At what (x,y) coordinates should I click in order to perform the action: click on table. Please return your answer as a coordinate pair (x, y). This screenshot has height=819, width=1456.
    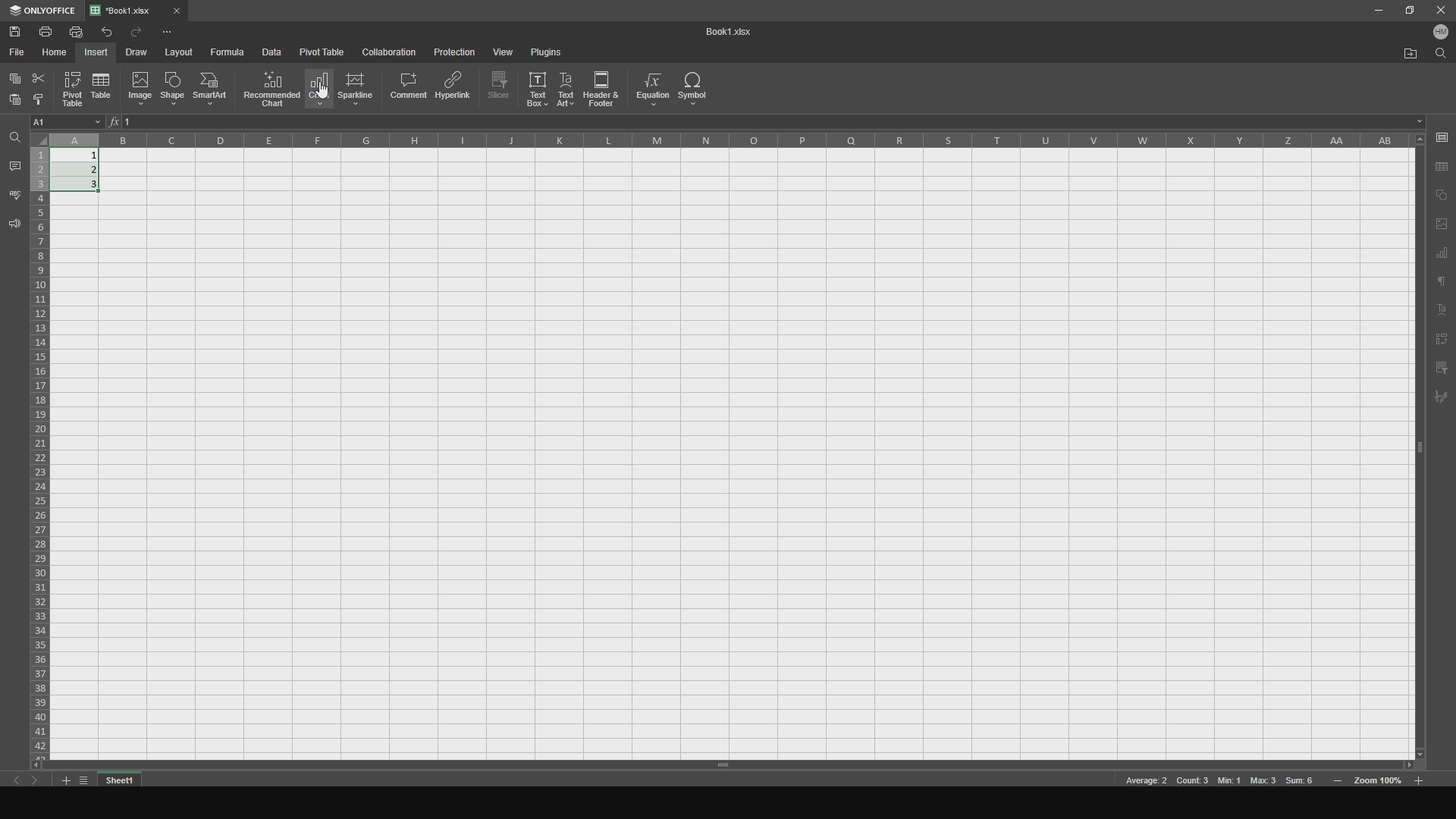
    Looking at the image, I should click on (101, 88).